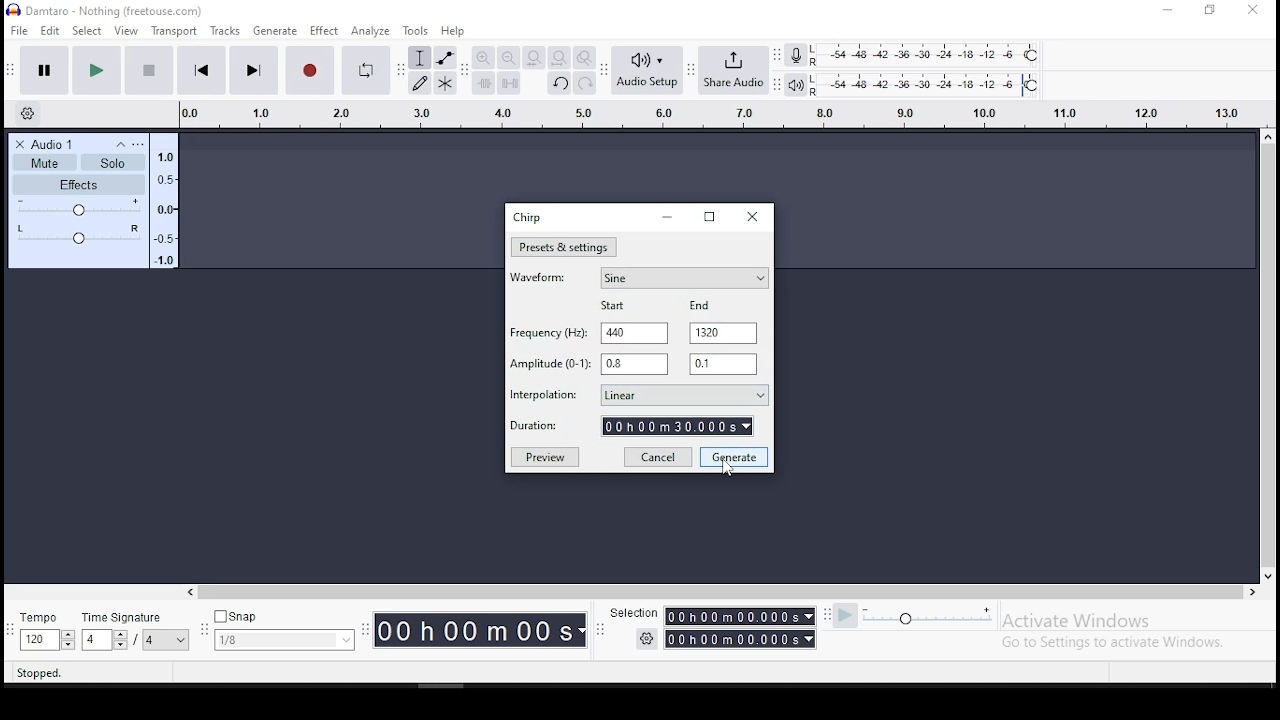 This screenshot has height=720, width=1280. Describe the element at coordinates (135, 630) in the screenshot. I see `time signature` at that location.